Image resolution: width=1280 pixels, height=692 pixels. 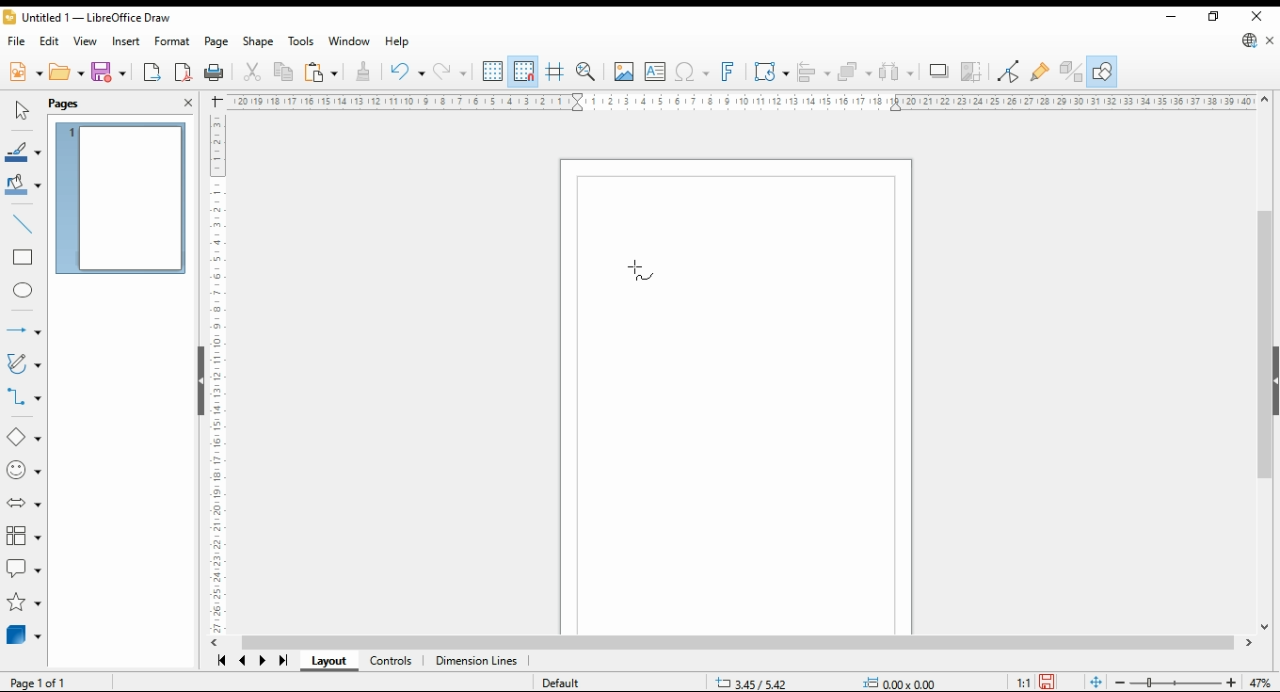 What do you see at coordinates (125, 41) in the screenshot?
I see `insert` at bounding box center [125, 41].